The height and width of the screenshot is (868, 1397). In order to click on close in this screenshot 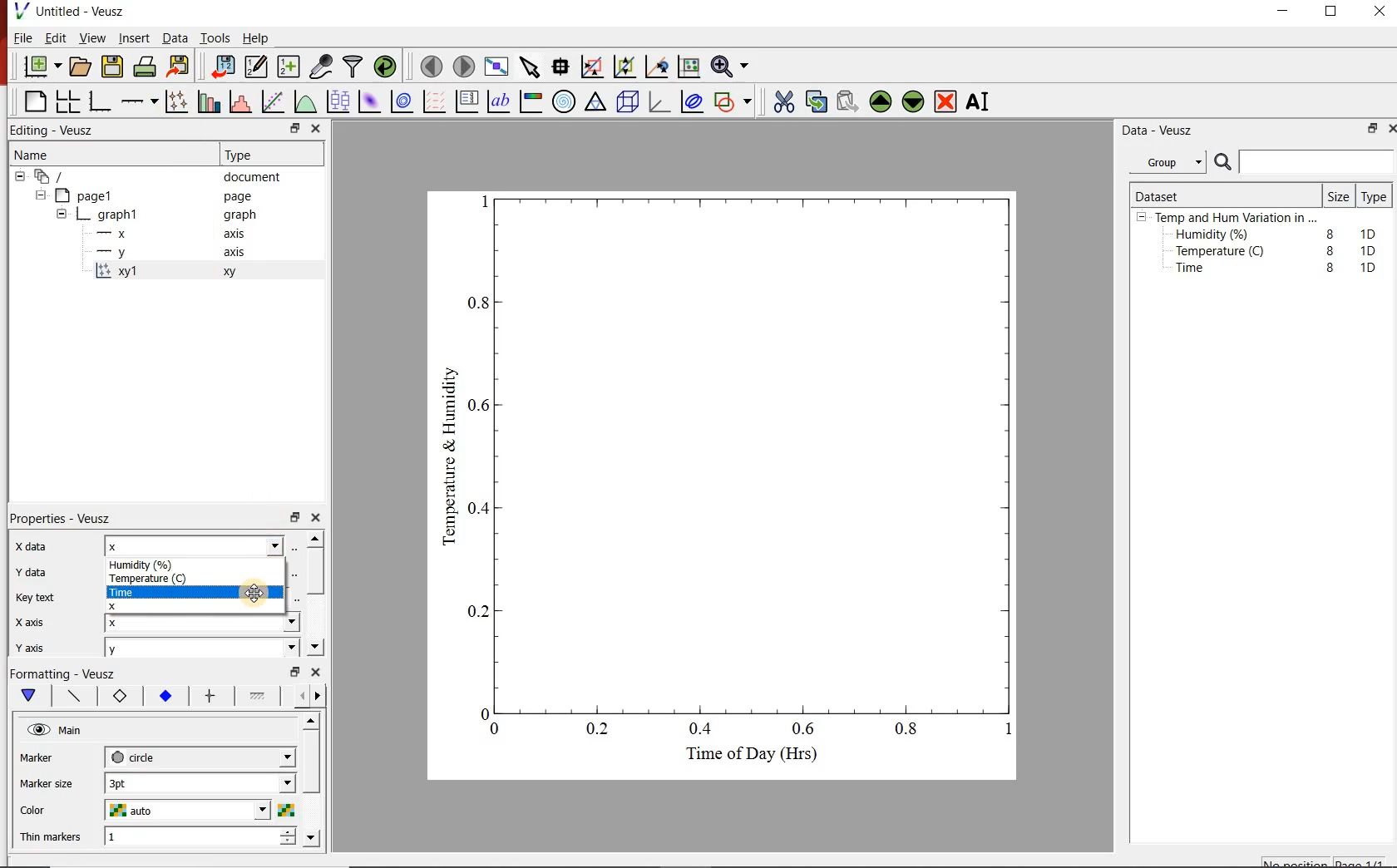, I will do `click(321, 518)`.